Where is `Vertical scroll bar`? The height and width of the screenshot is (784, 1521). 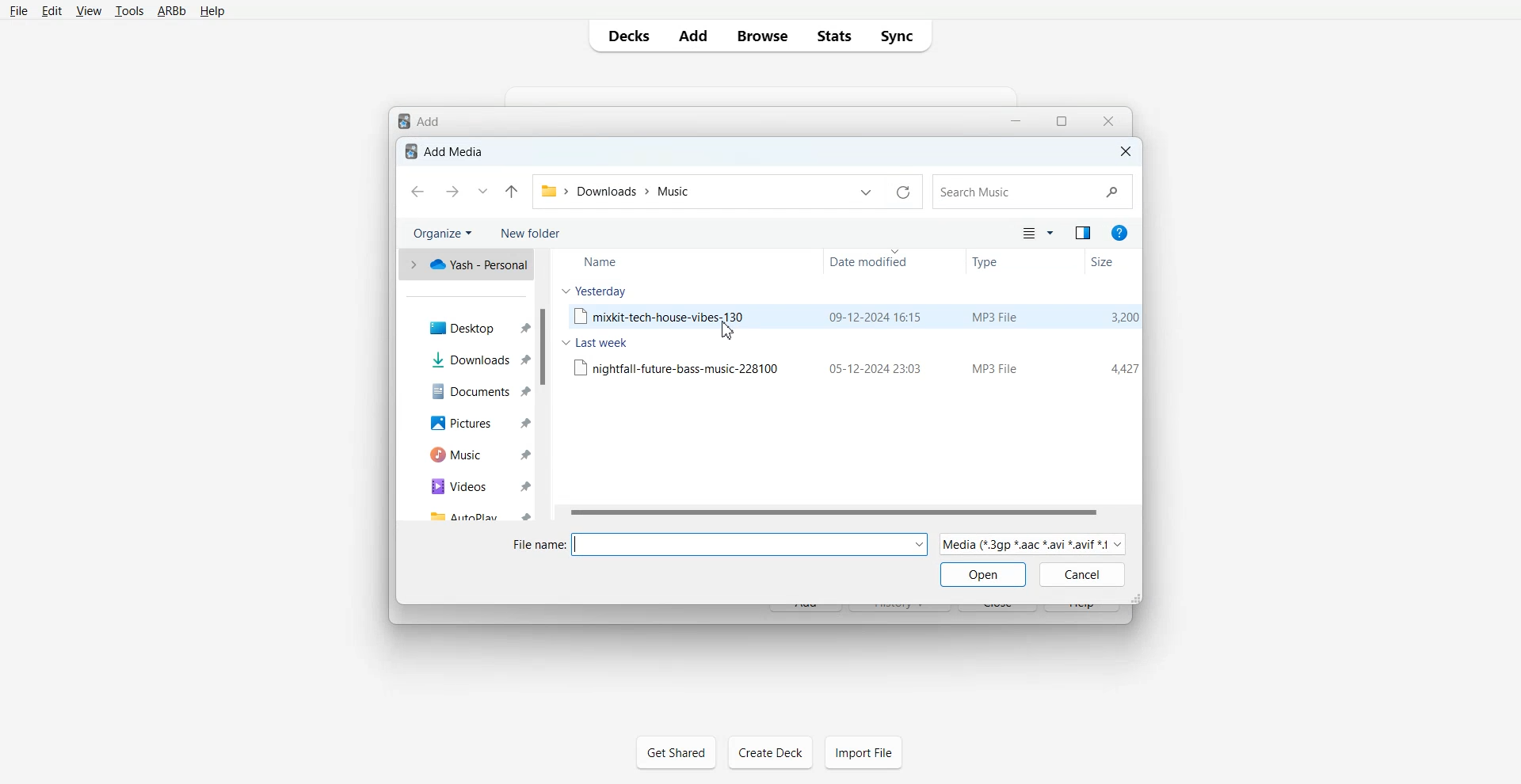 Vertical scroll bar is located at coordinates (545, 385).